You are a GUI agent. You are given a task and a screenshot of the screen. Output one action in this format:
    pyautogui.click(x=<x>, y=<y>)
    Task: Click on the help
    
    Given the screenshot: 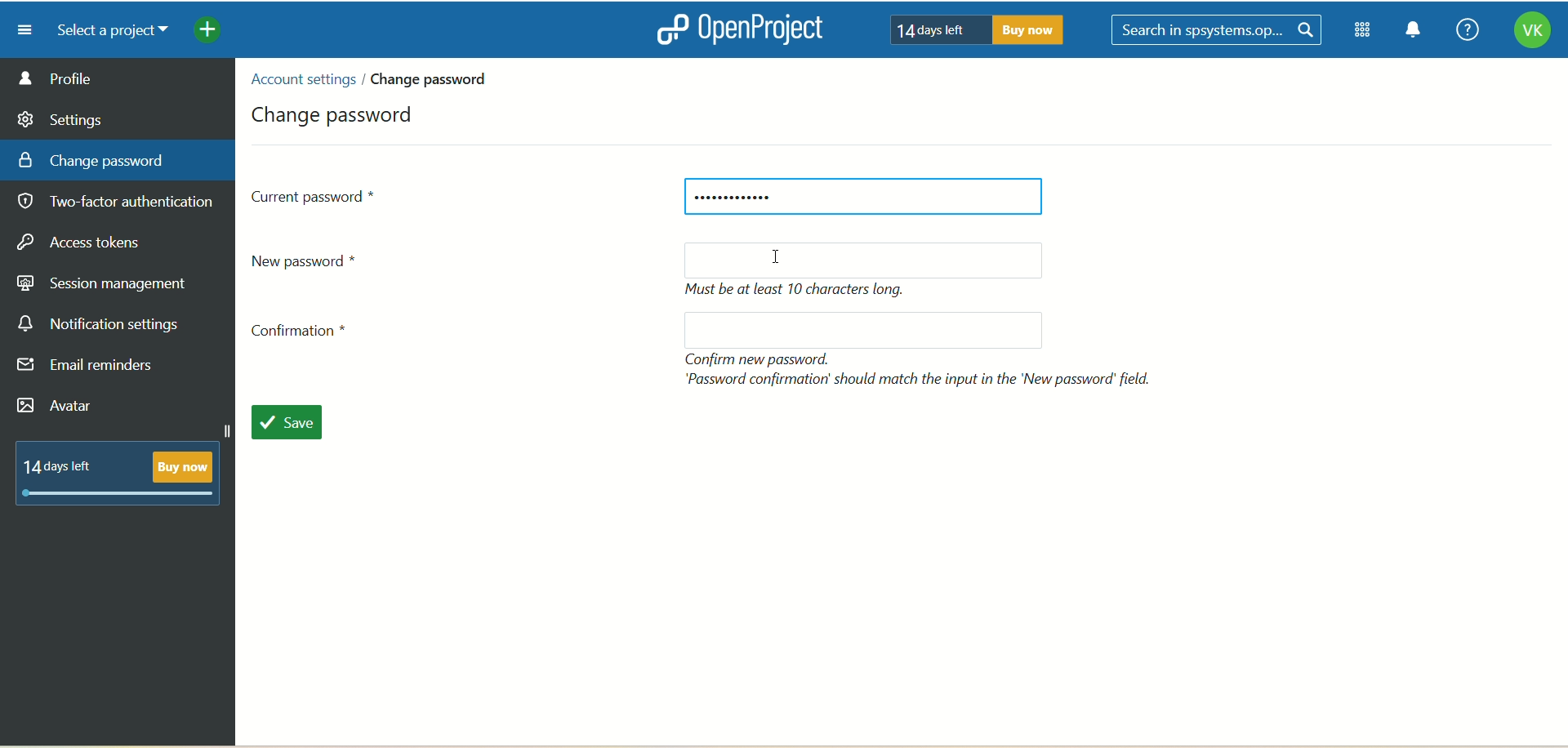 What is the action you would take?
    pyautogui.click(x=1463, y=31)
    